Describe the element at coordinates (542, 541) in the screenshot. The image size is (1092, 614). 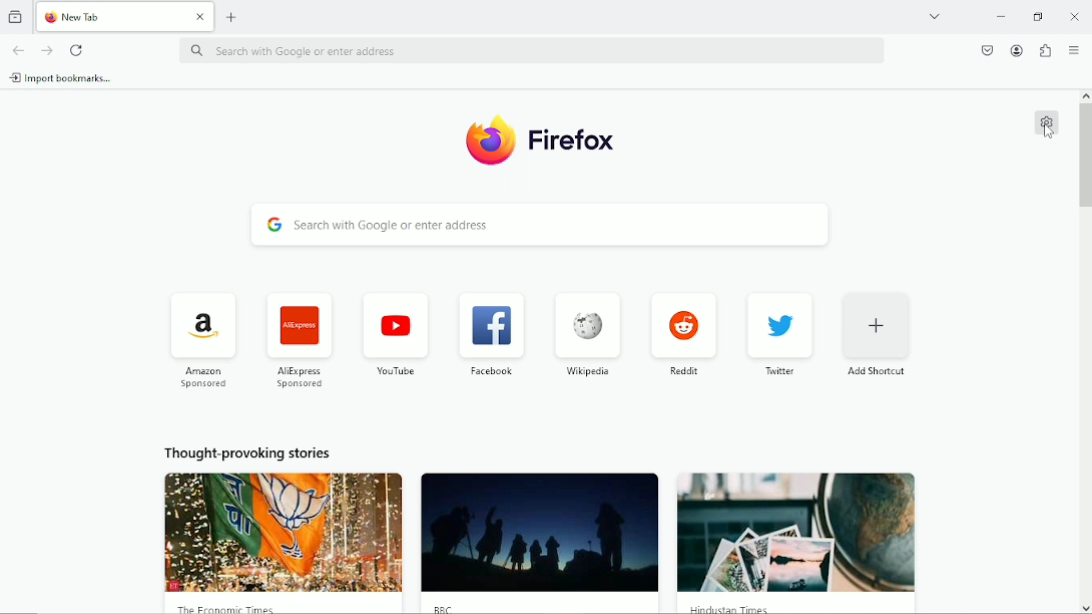
I see `Thought provoking story` at that location.